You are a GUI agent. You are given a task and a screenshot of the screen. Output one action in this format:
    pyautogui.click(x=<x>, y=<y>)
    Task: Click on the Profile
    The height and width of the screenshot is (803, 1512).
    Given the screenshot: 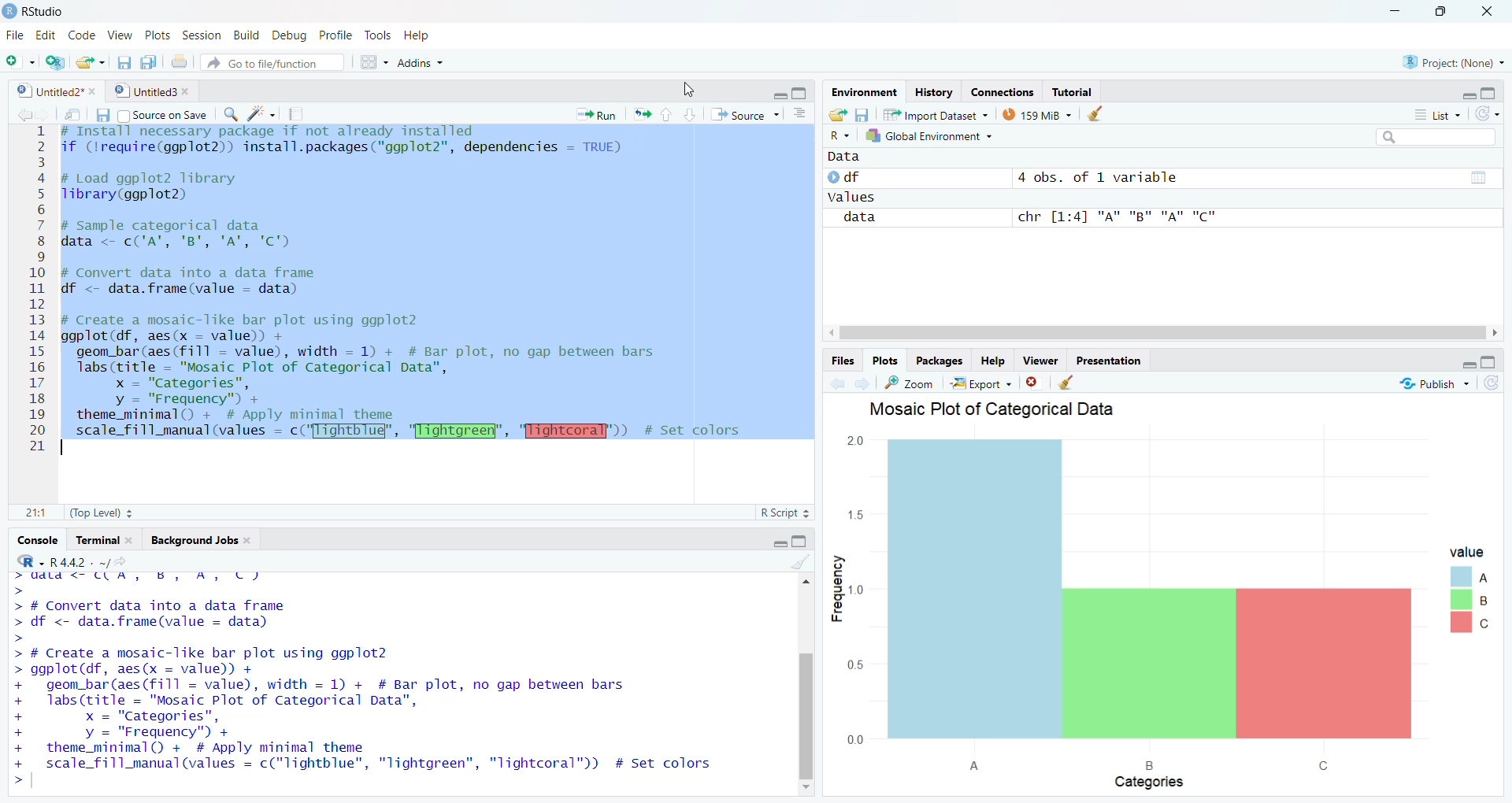 What is the action you would take?
    pyautogui.click(x=335, y=35)
    